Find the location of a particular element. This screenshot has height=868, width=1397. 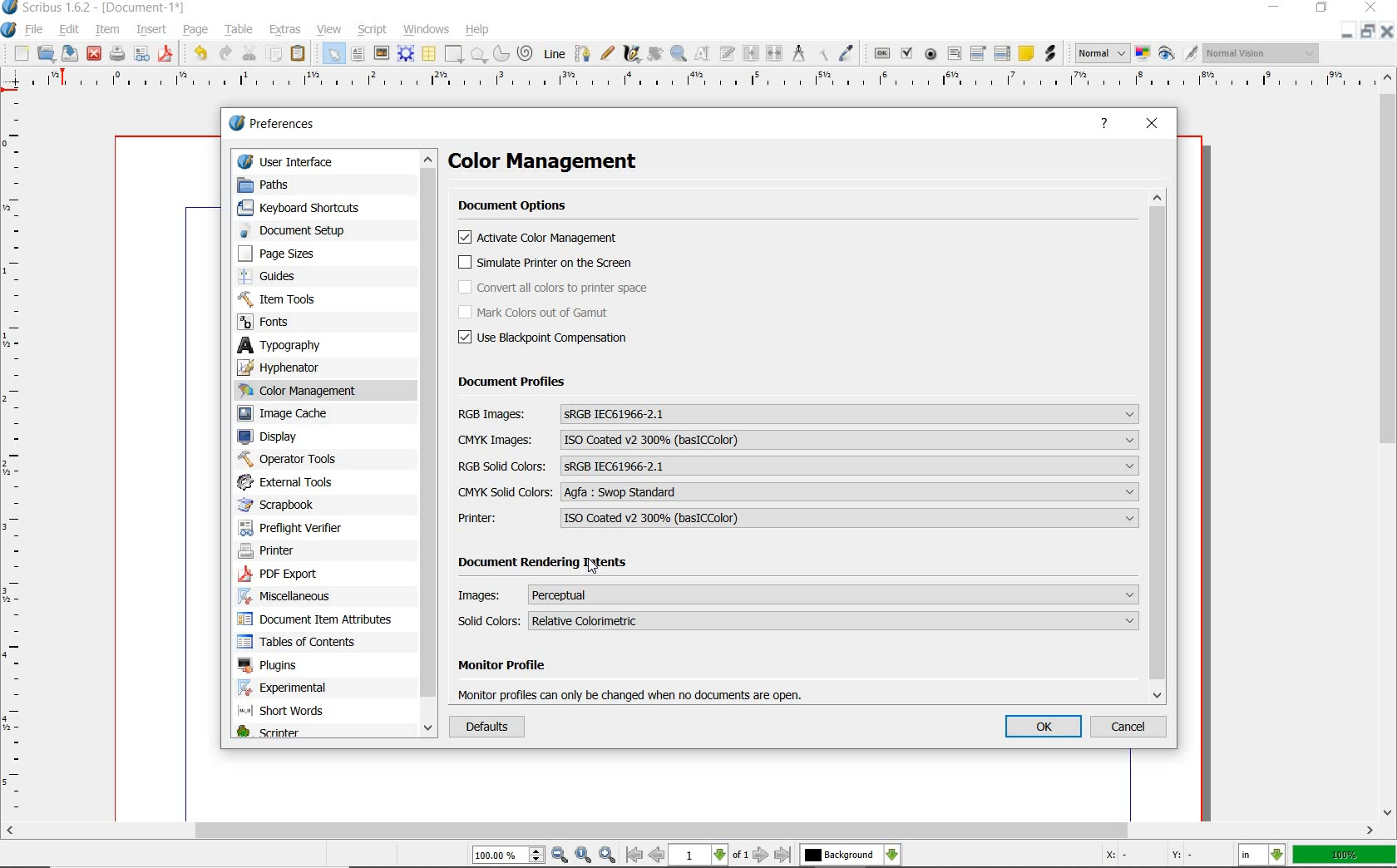

DEFAULTS is located at coordinates (484, 727).